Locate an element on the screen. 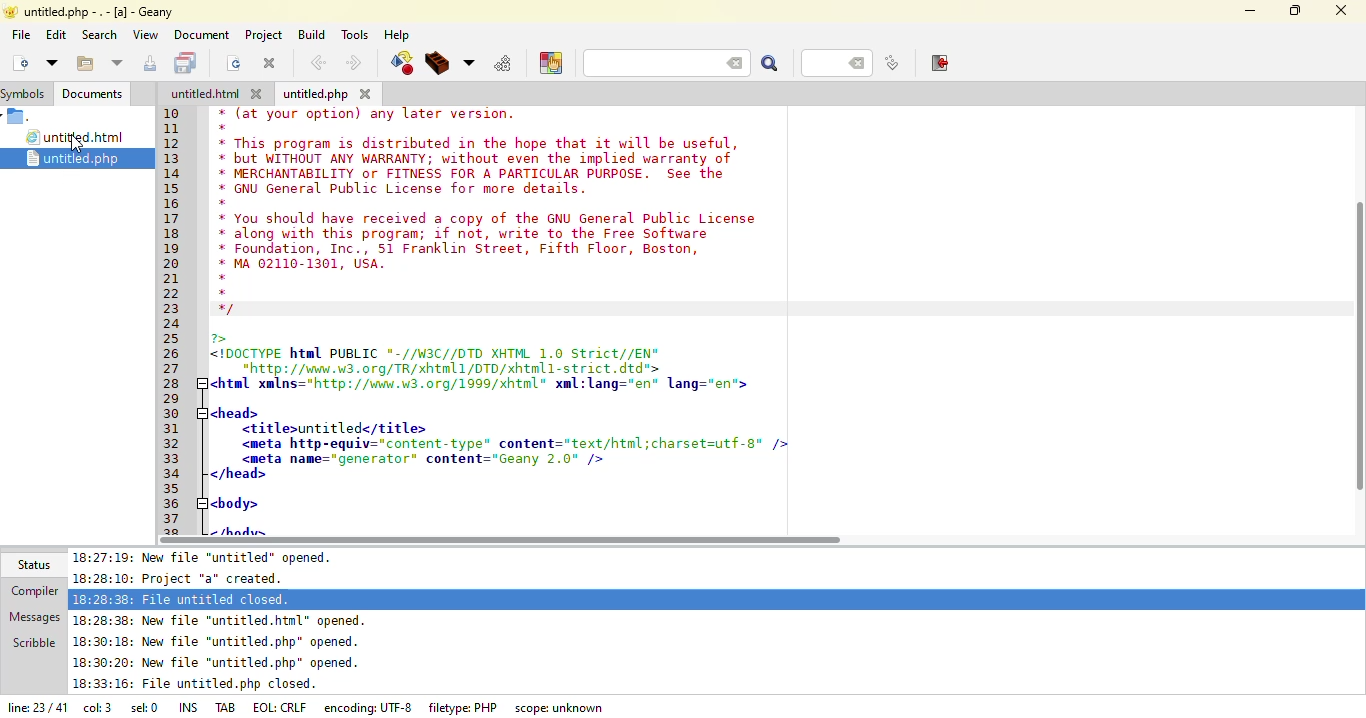 The width and height of the screenshot is (1366, 718). documents is located at coordinates (94, 94).